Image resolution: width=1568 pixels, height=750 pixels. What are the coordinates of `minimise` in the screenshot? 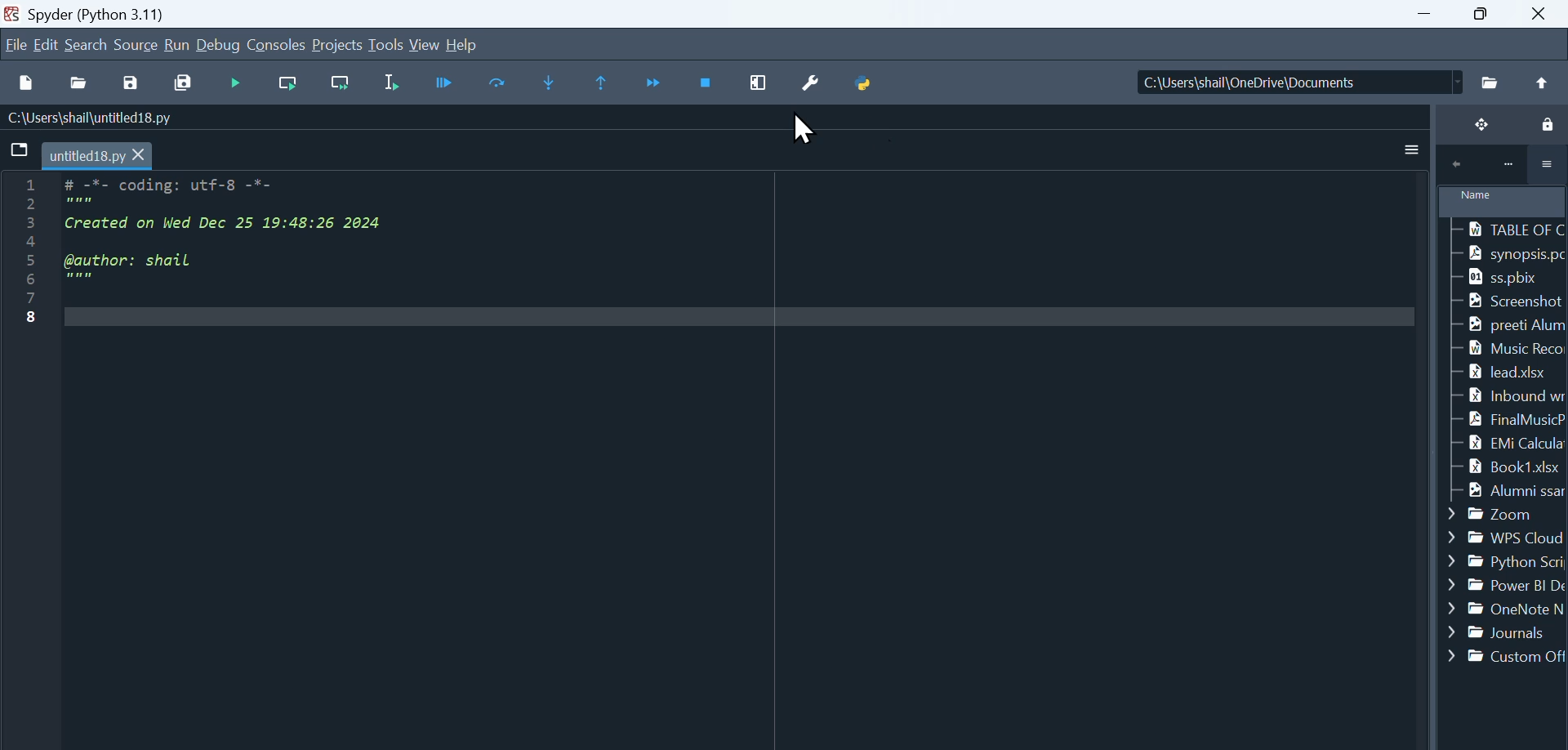 It's located at (1429, 15).